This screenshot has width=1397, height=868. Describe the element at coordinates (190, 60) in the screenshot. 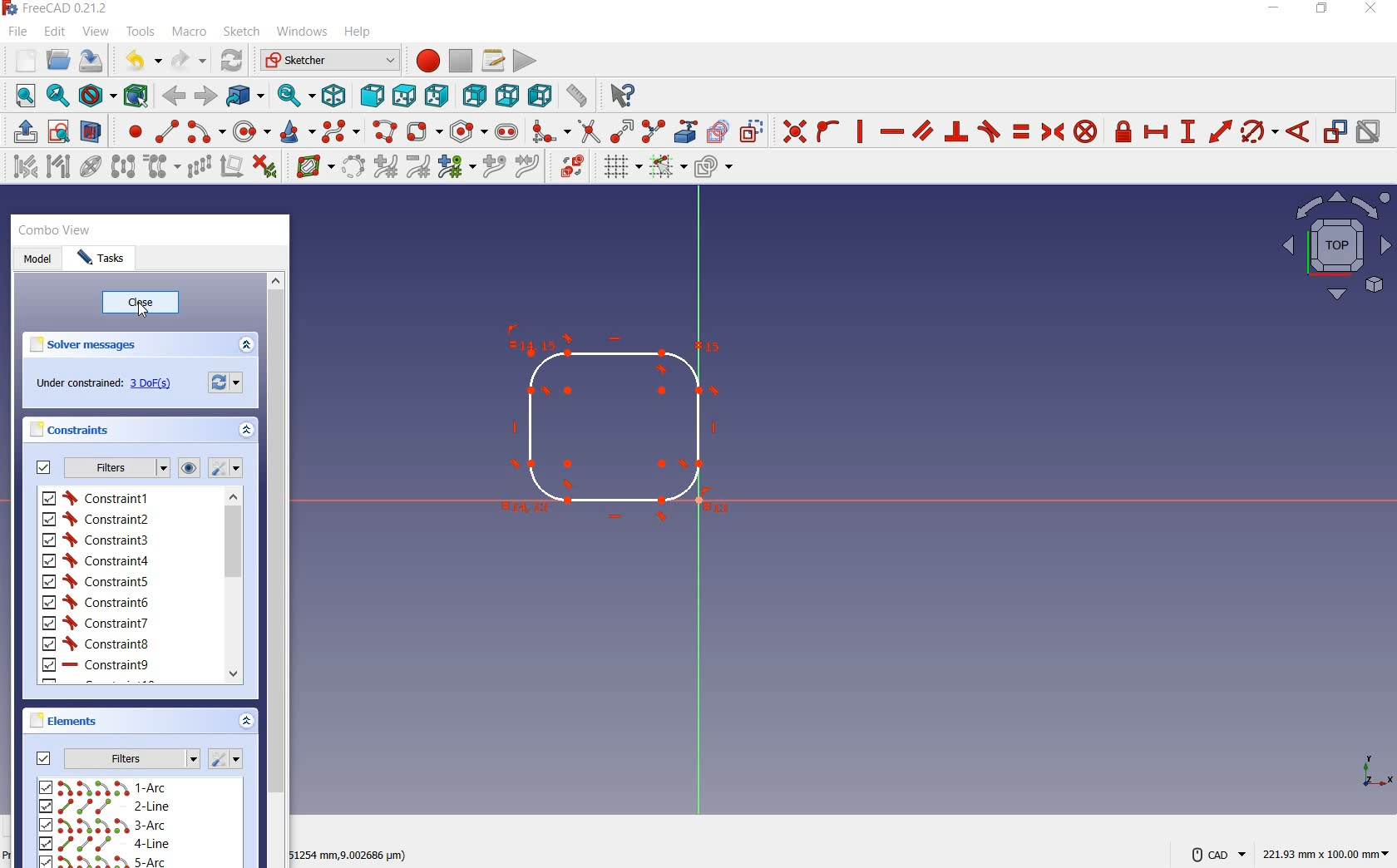

I see `redo` at that location.